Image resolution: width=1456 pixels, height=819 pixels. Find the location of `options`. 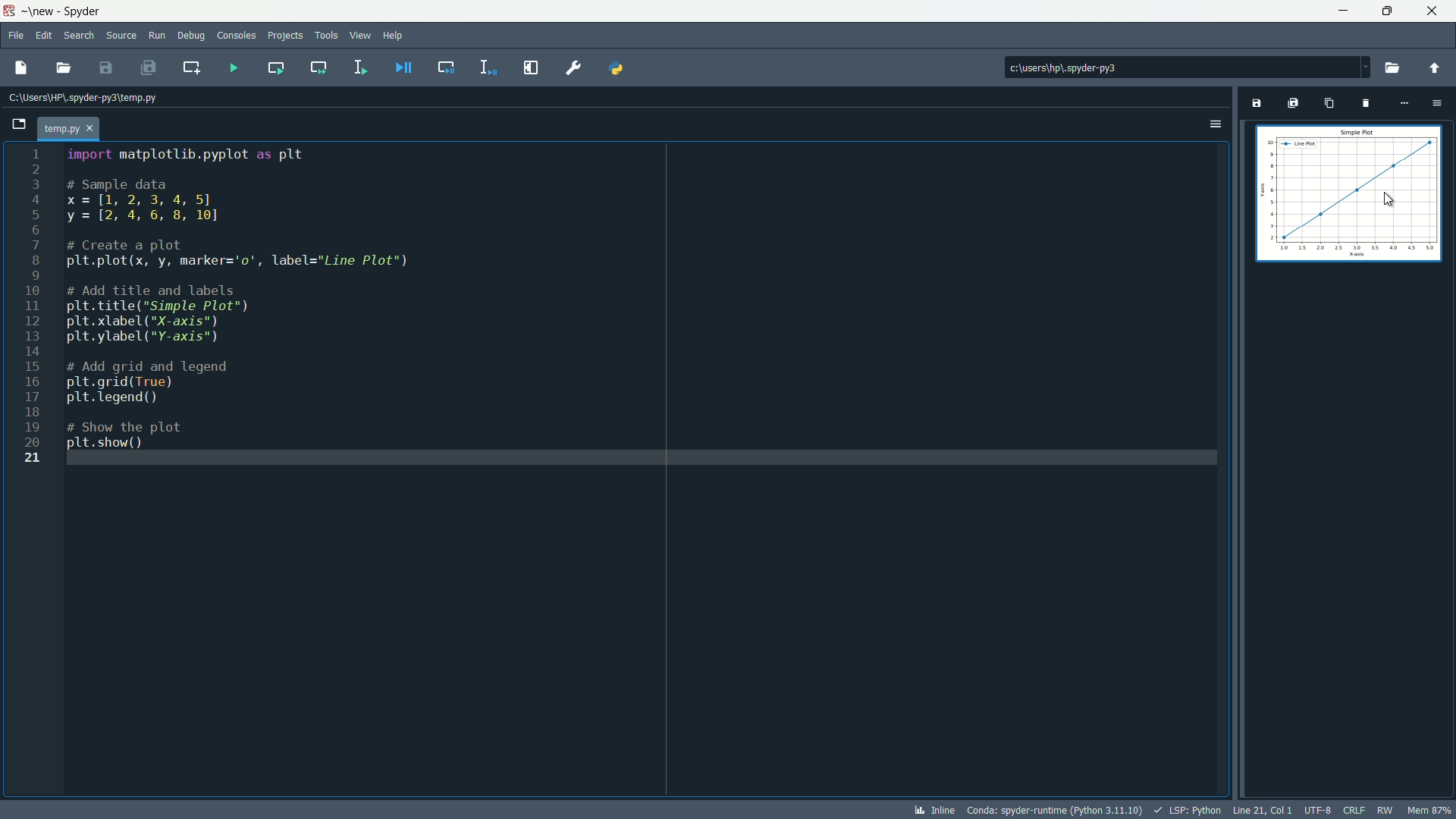

options is located at coordinates (1216, 123).